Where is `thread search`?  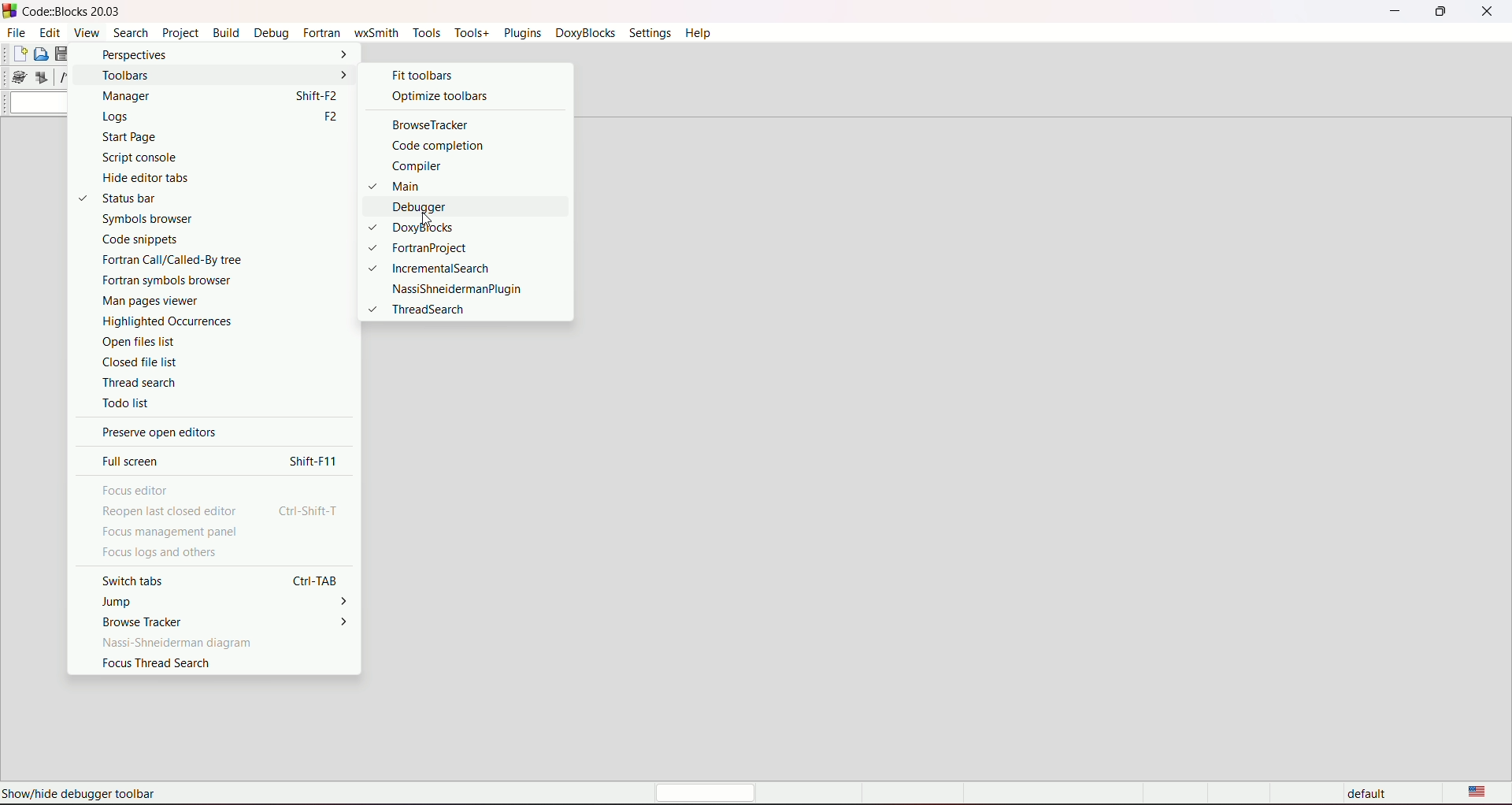
thread search is located at coordinates (417, 310).